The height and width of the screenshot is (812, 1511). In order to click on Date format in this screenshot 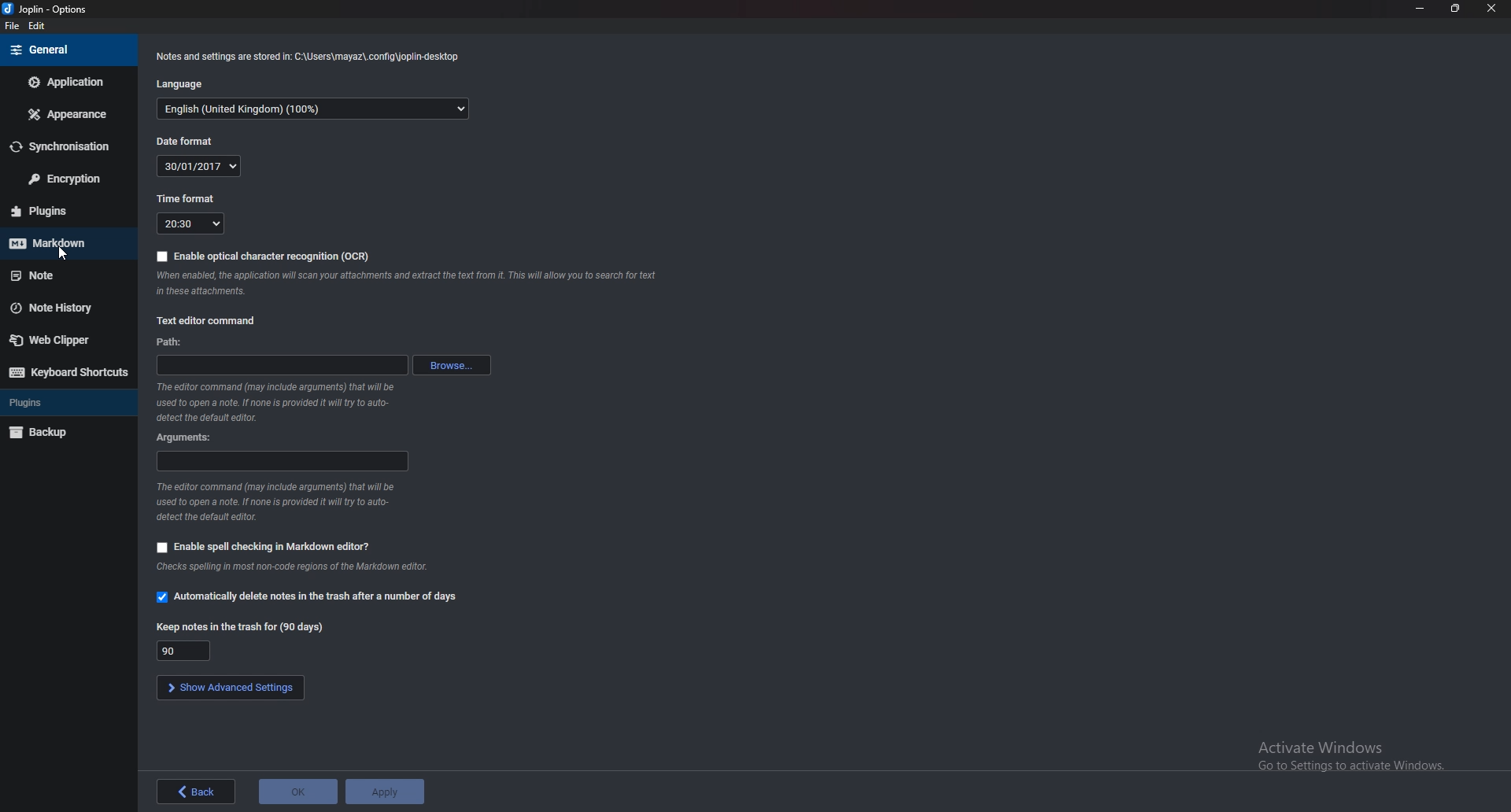, I will do `click(192, 141)`.